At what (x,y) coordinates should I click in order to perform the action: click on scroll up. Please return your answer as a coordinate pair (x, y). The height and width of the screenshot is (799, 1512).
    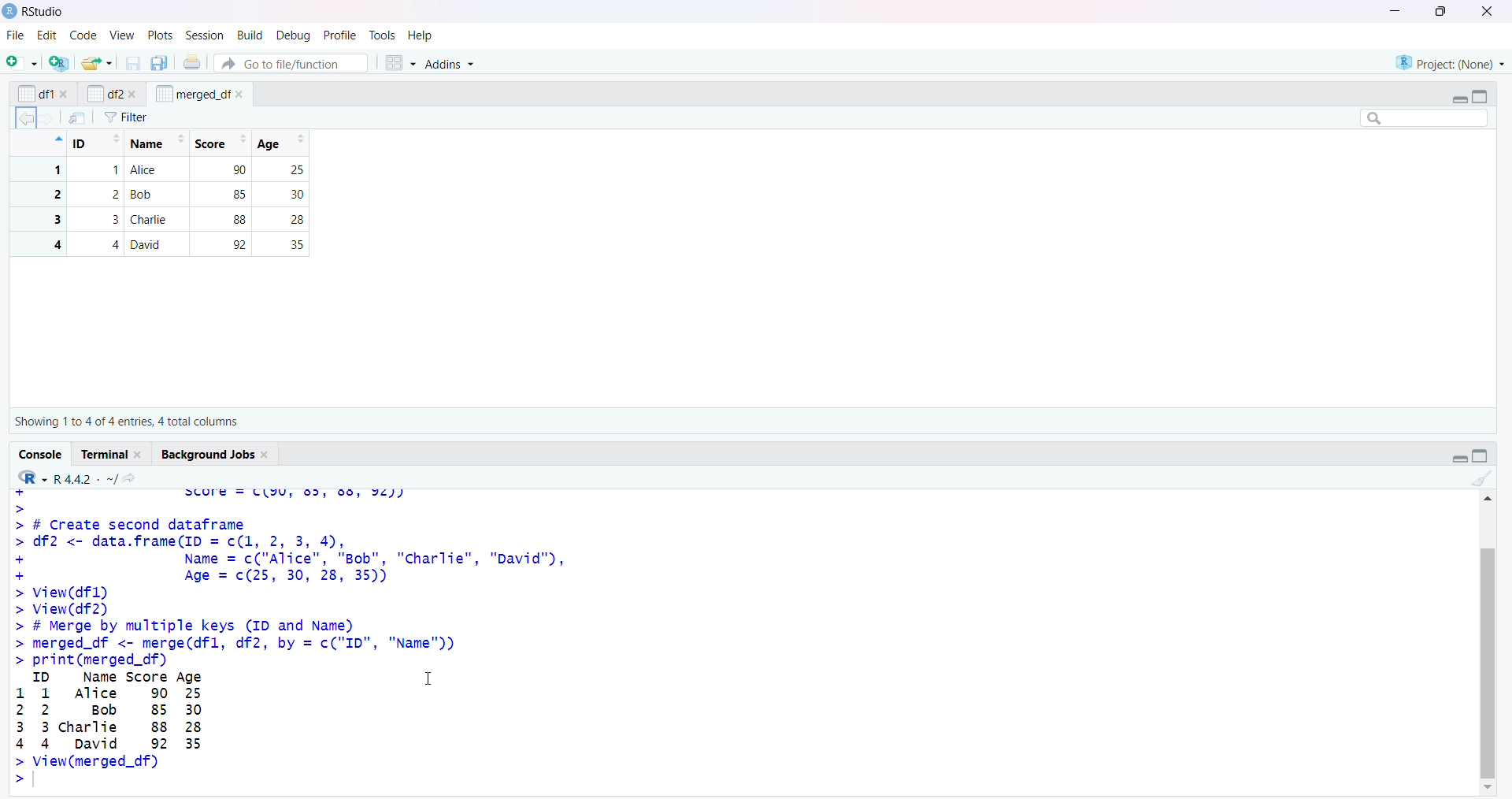
    Looking at the image, I should click on (1487, 498).